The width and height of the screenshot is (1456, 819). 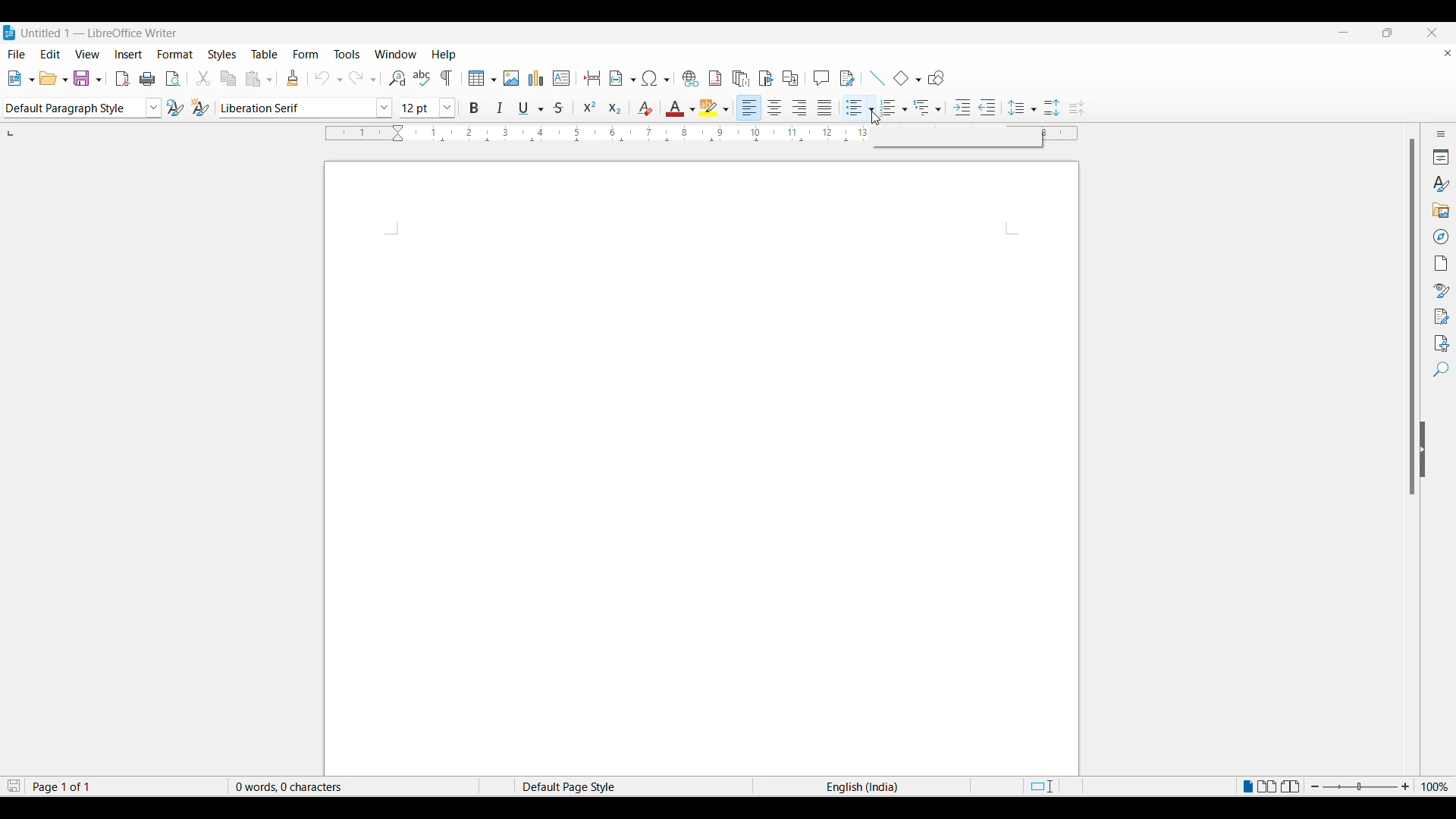 I want to click on align left, so click(x=748, y=106).